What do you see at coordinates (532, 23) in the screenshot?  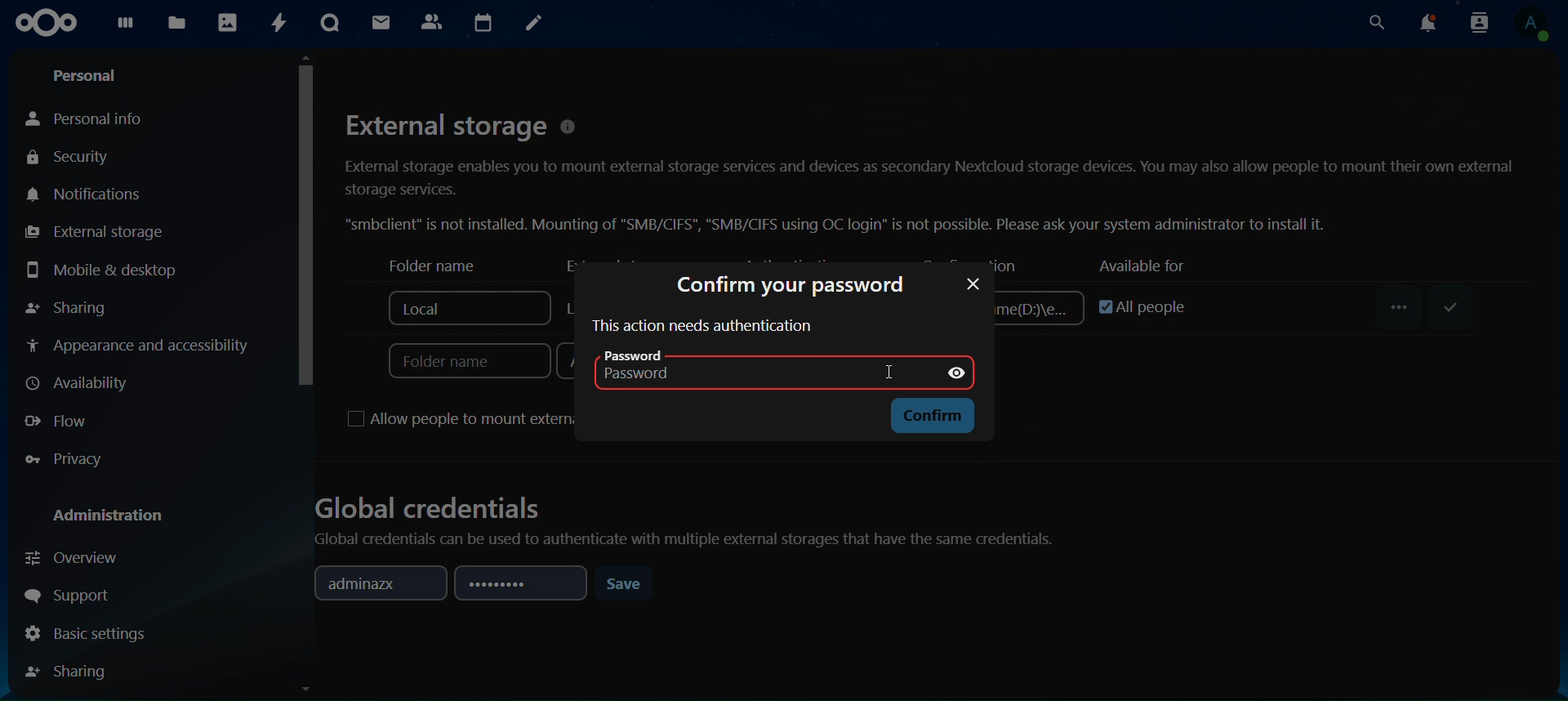 I see `notes` at bounding box center [532, 23].